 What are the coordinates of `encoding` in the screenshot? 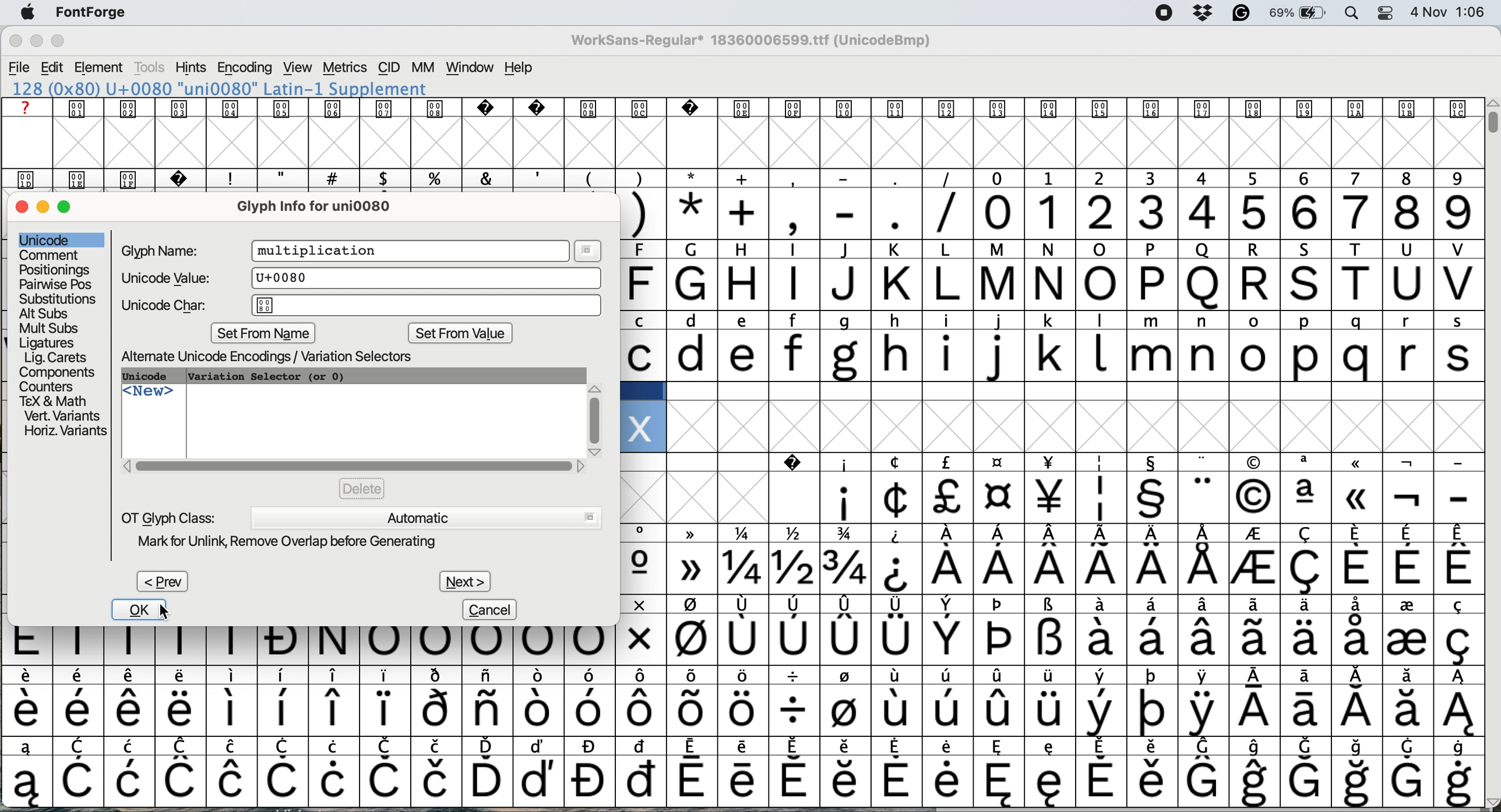 It's located at (244, 68).